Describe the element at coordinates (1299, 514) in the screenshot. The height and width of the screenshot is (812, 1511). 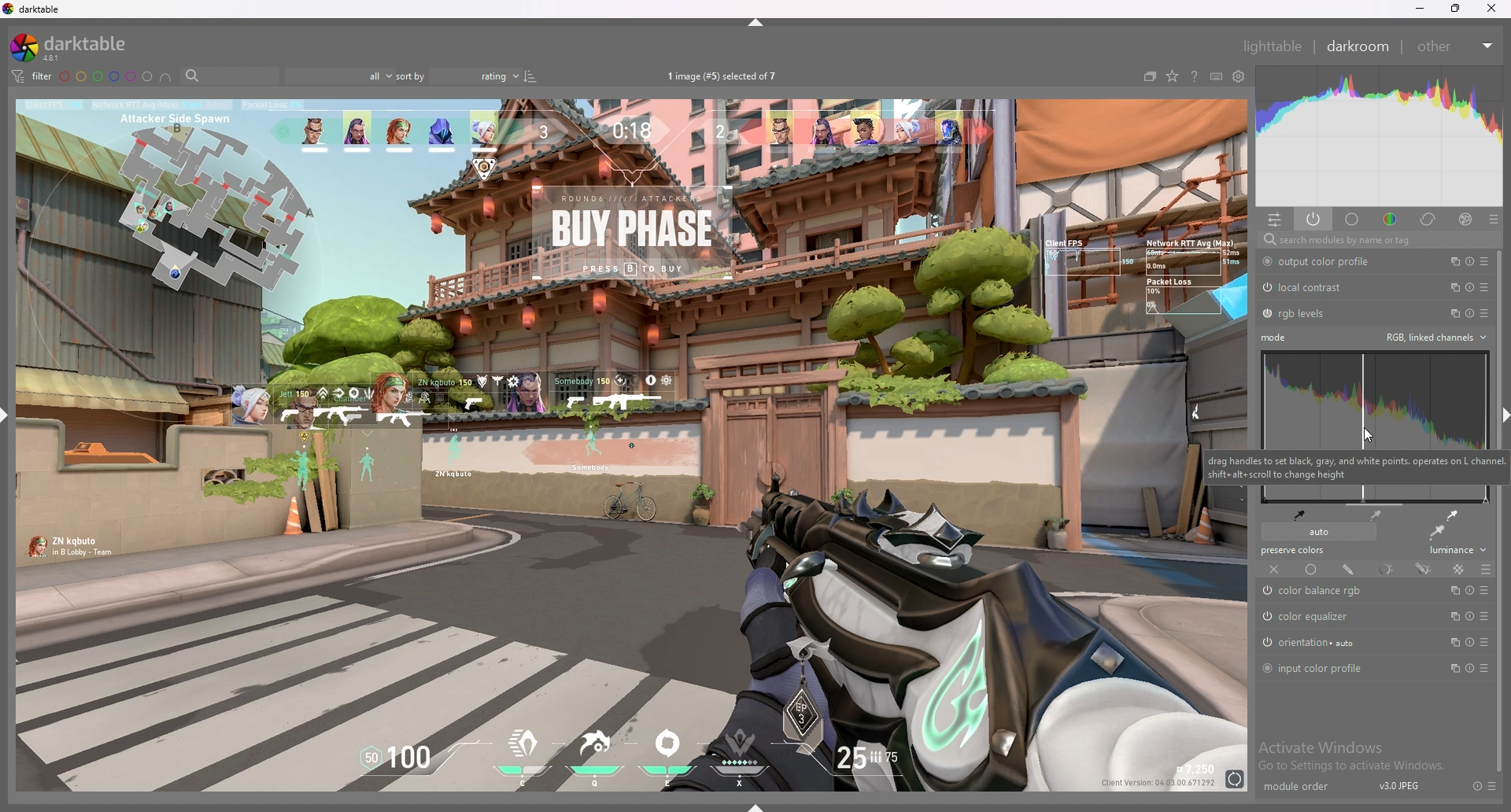
I see `black point` at that location.